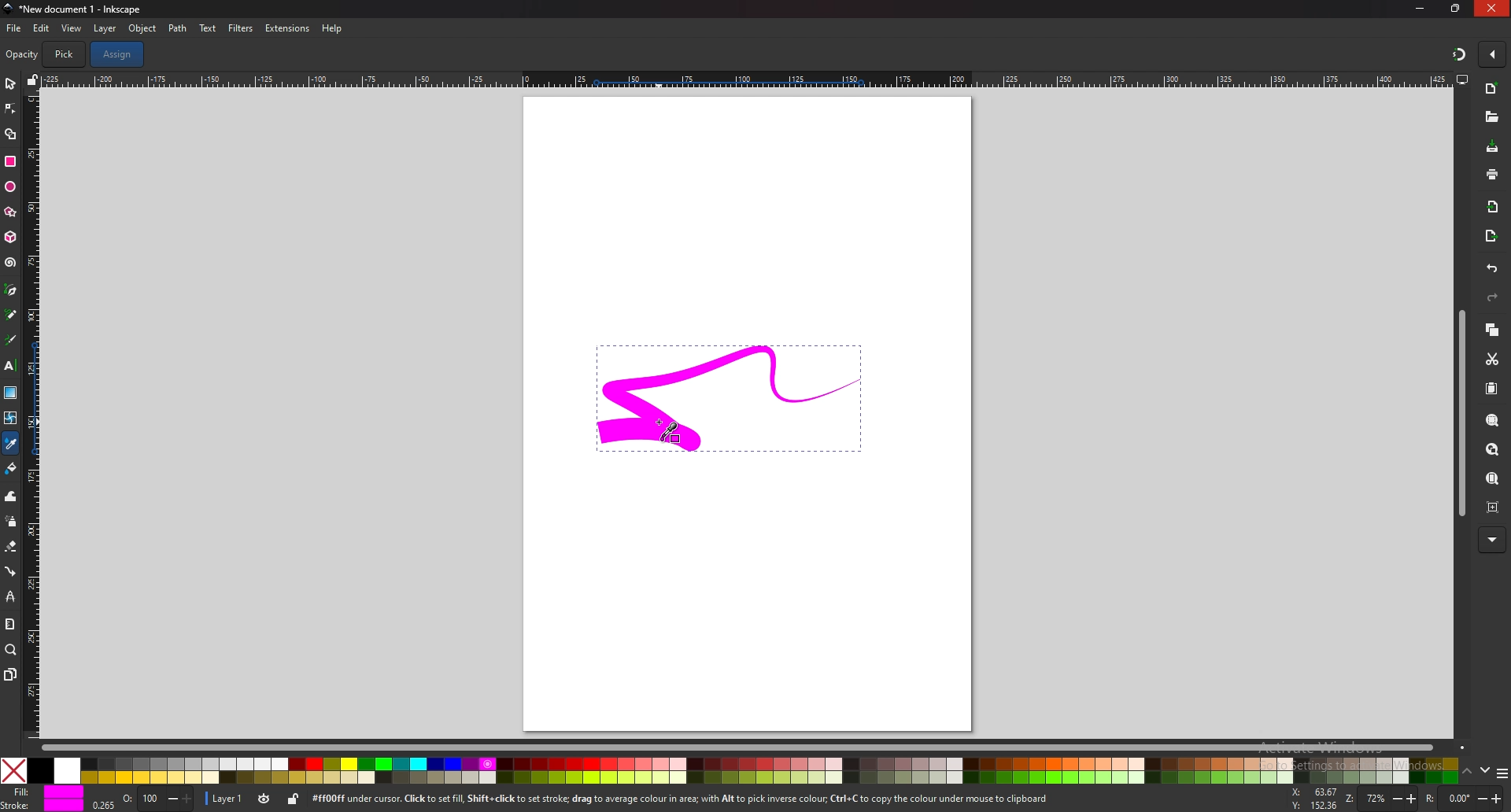 Image resolution: width=1511 pixels, height=812 pixels. What do you see at coordinates (10, 623) in the screenshot?
I see `measure` at bounding box center [10, 623].